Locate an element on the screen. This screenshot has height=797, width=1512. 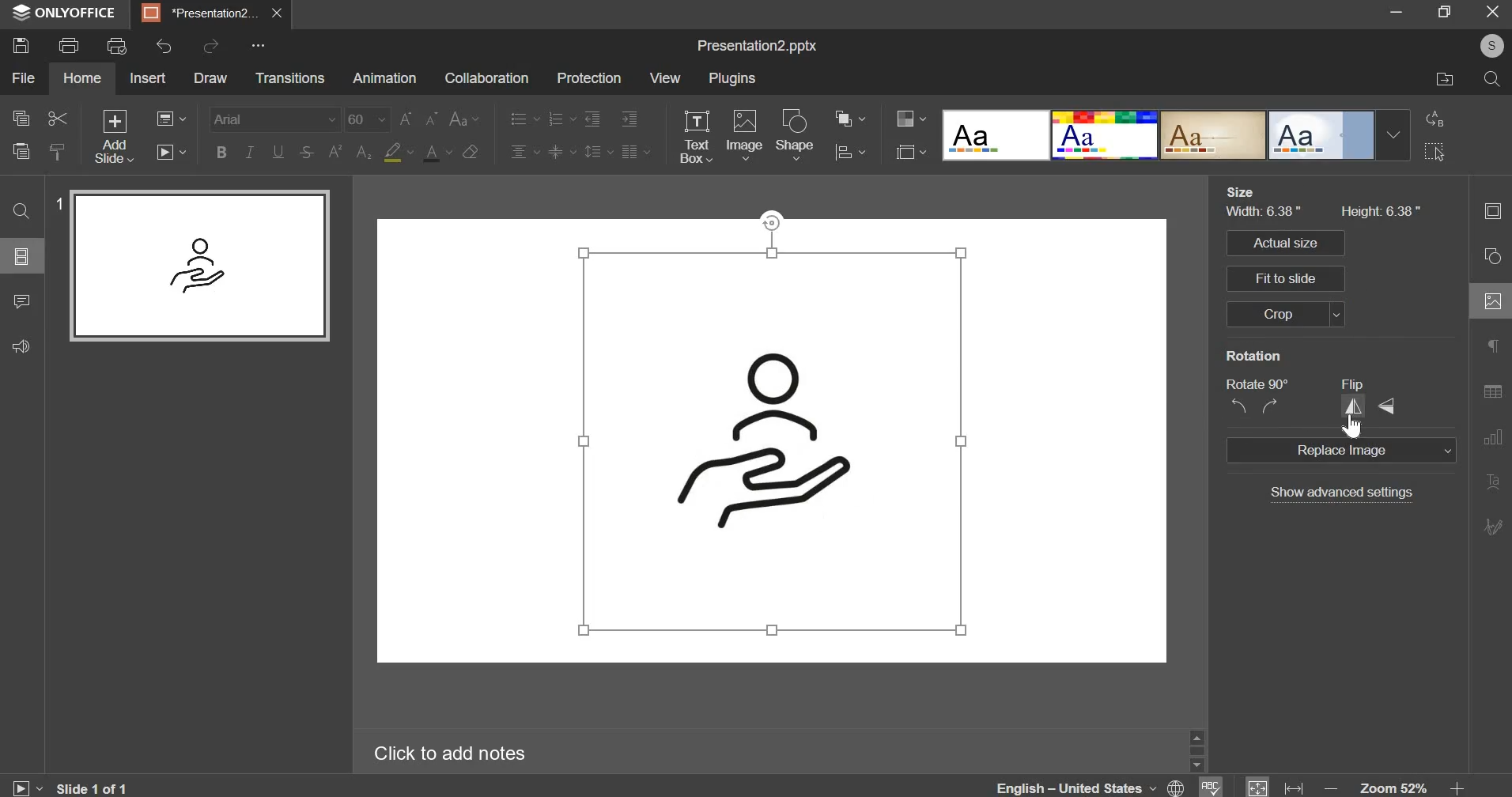
customize quick access menu is located at coordinates (255, 46).